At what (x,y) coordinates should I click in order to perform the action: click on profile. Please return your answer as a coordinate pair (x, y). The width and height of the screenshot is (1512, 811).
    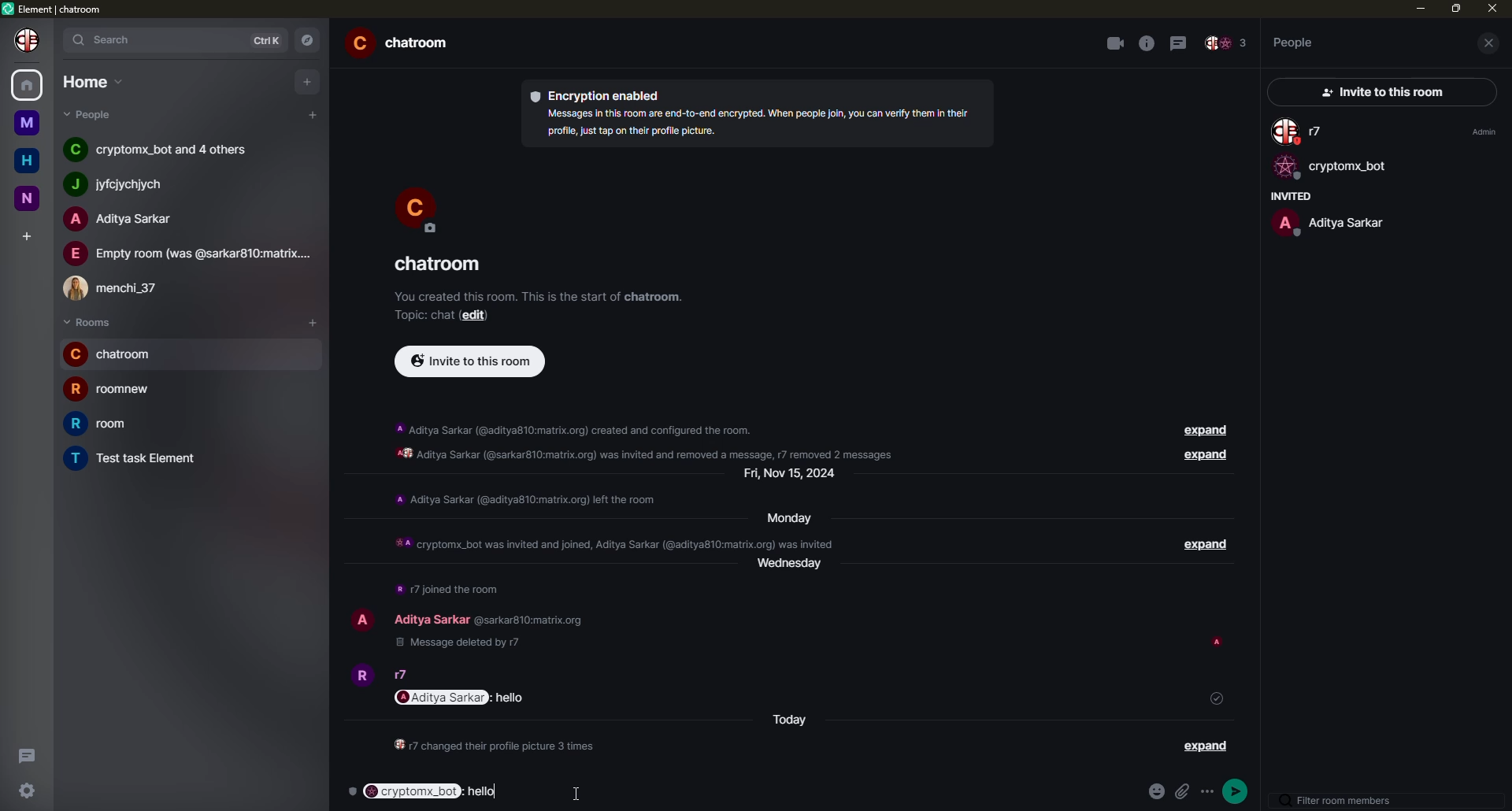
    Looking at the image, I should click on (362, 617).